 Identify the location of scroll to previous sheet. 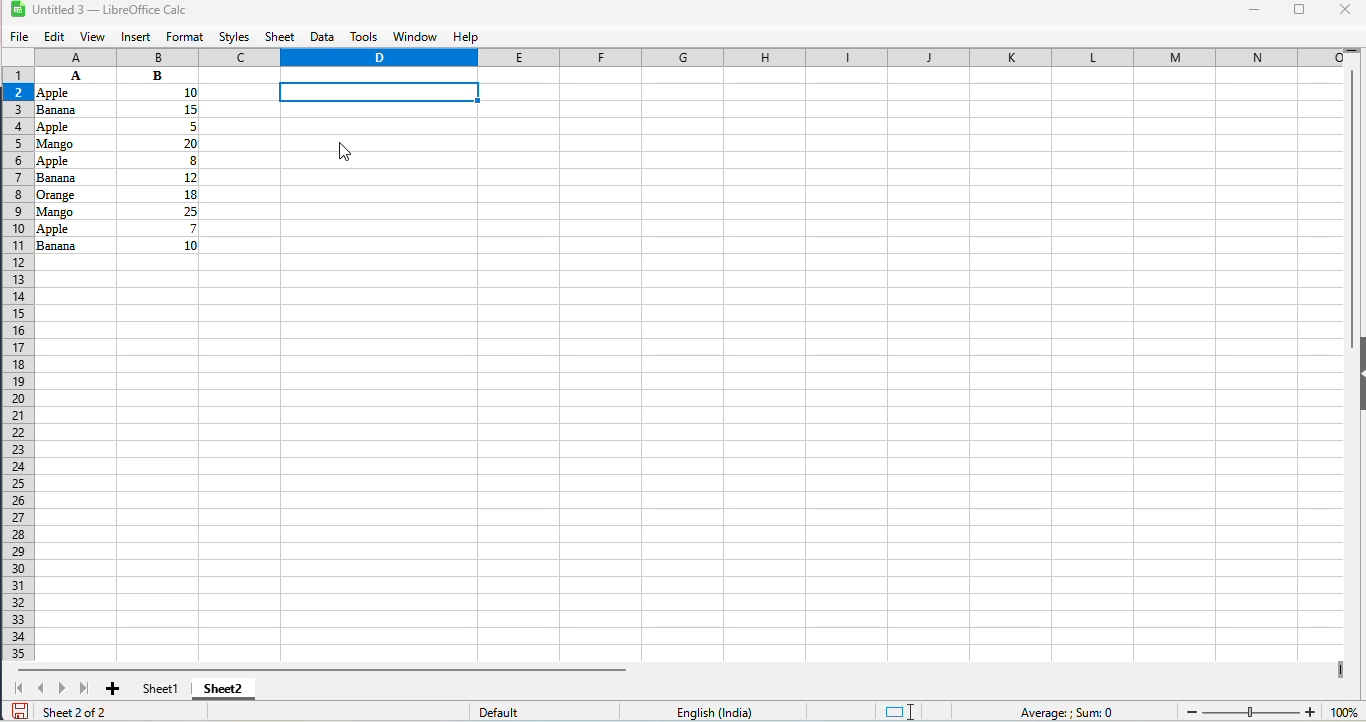
(41, 689).